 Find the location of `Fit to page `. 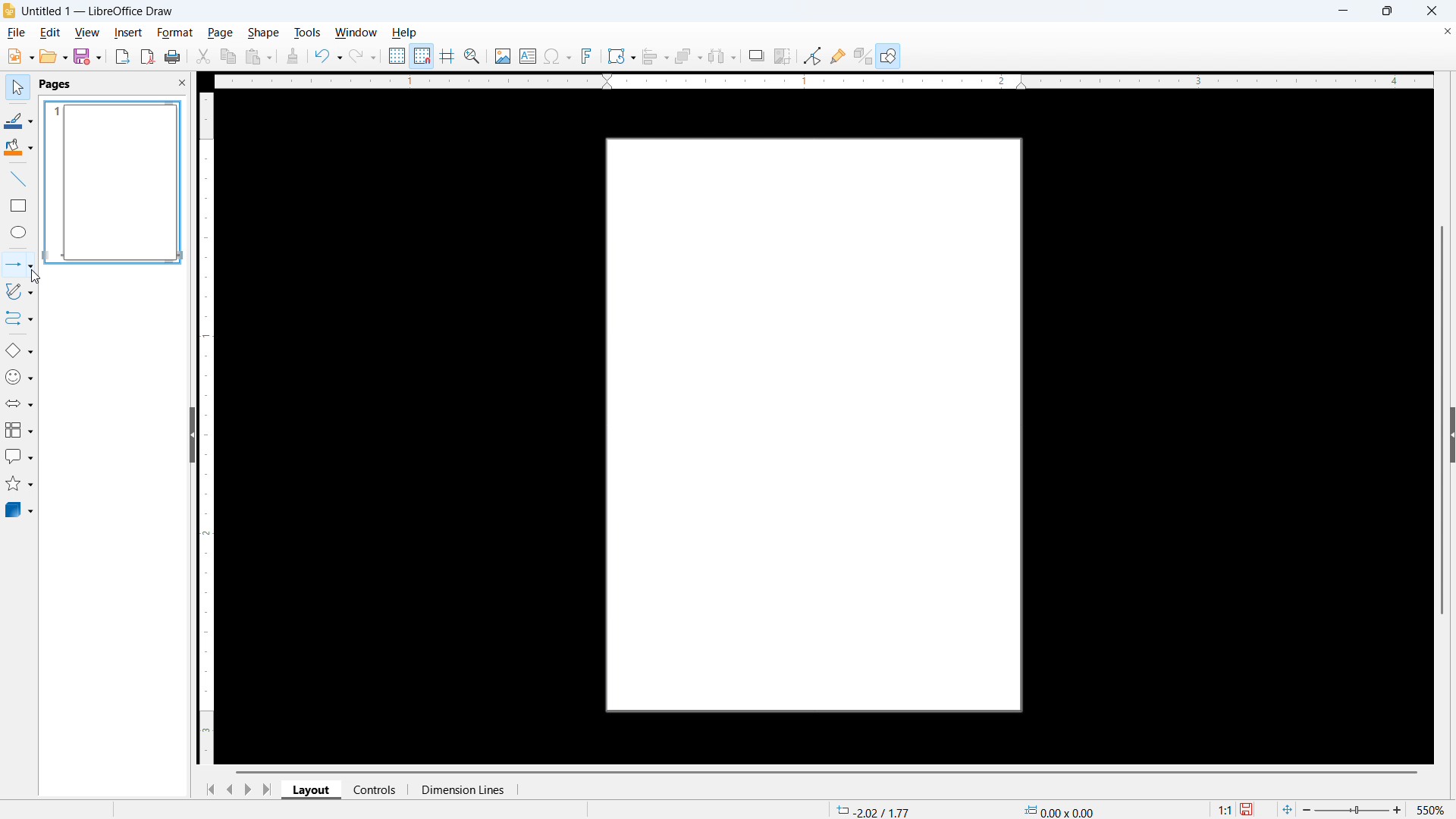

Fit to page  is located at coordinates (1286, 808).